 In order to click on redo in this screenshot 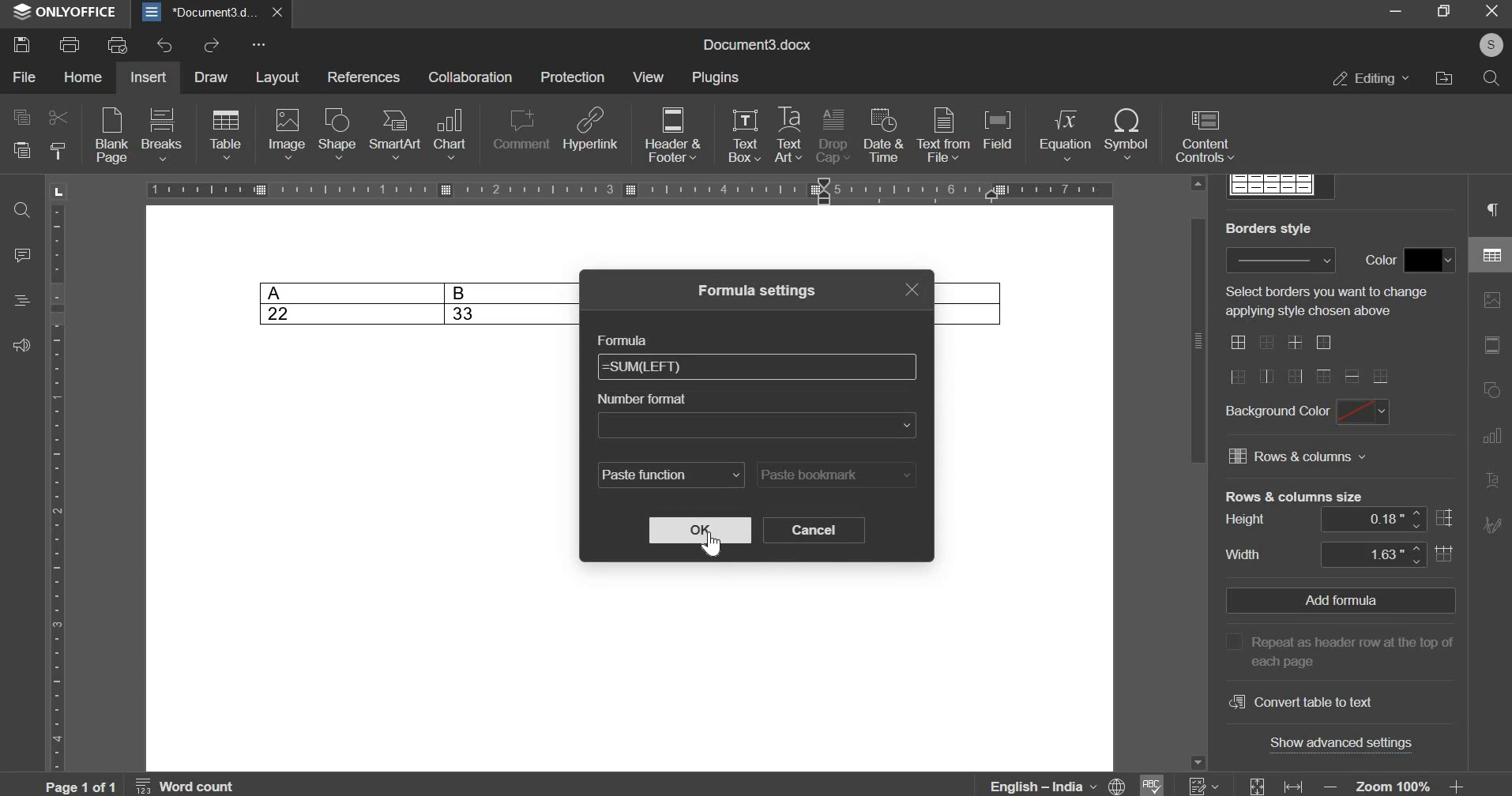, I will do `click(211, 46)`.